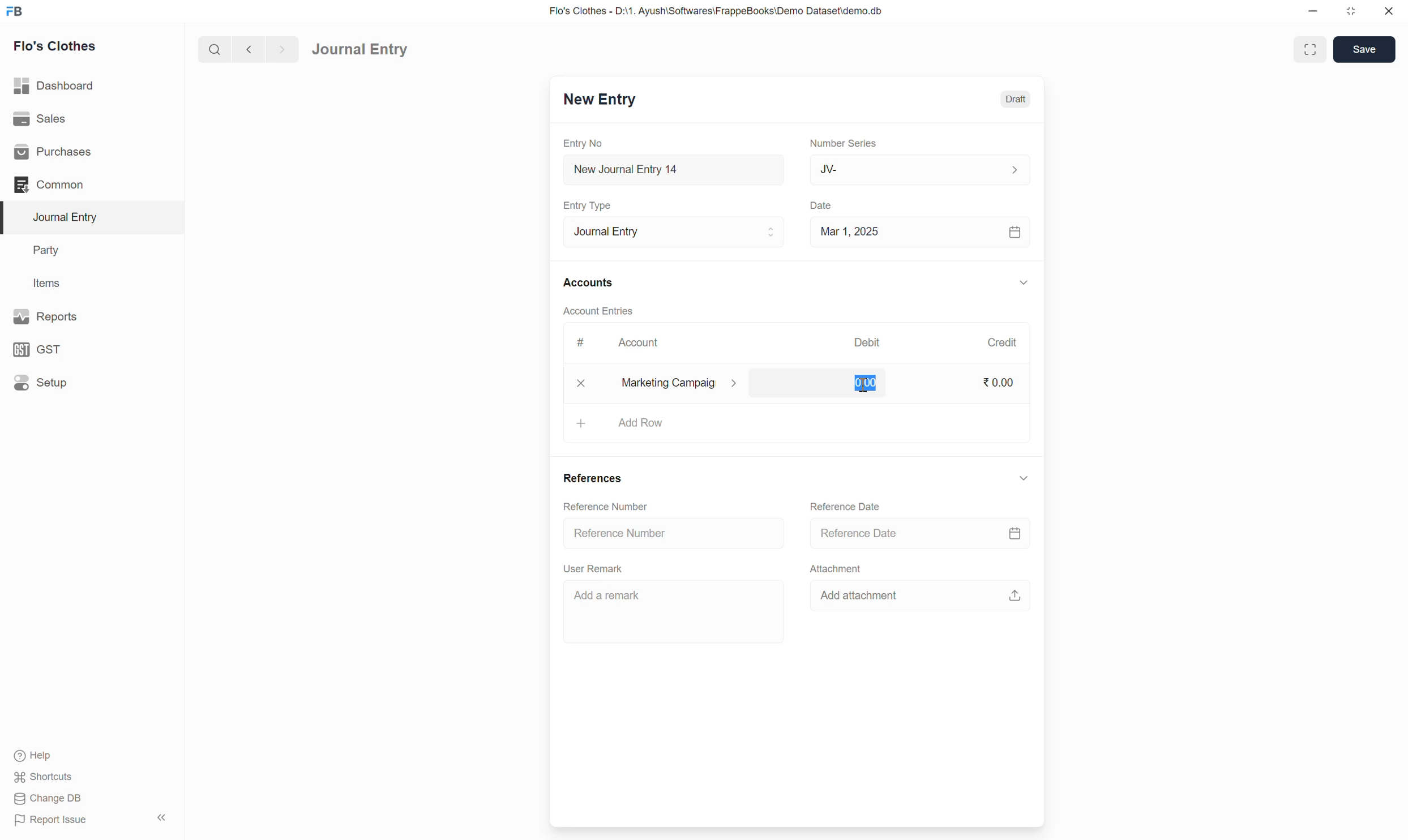 The width and height of the screenshot is (1408, 840). I want to click on Items, so click(46, 282).